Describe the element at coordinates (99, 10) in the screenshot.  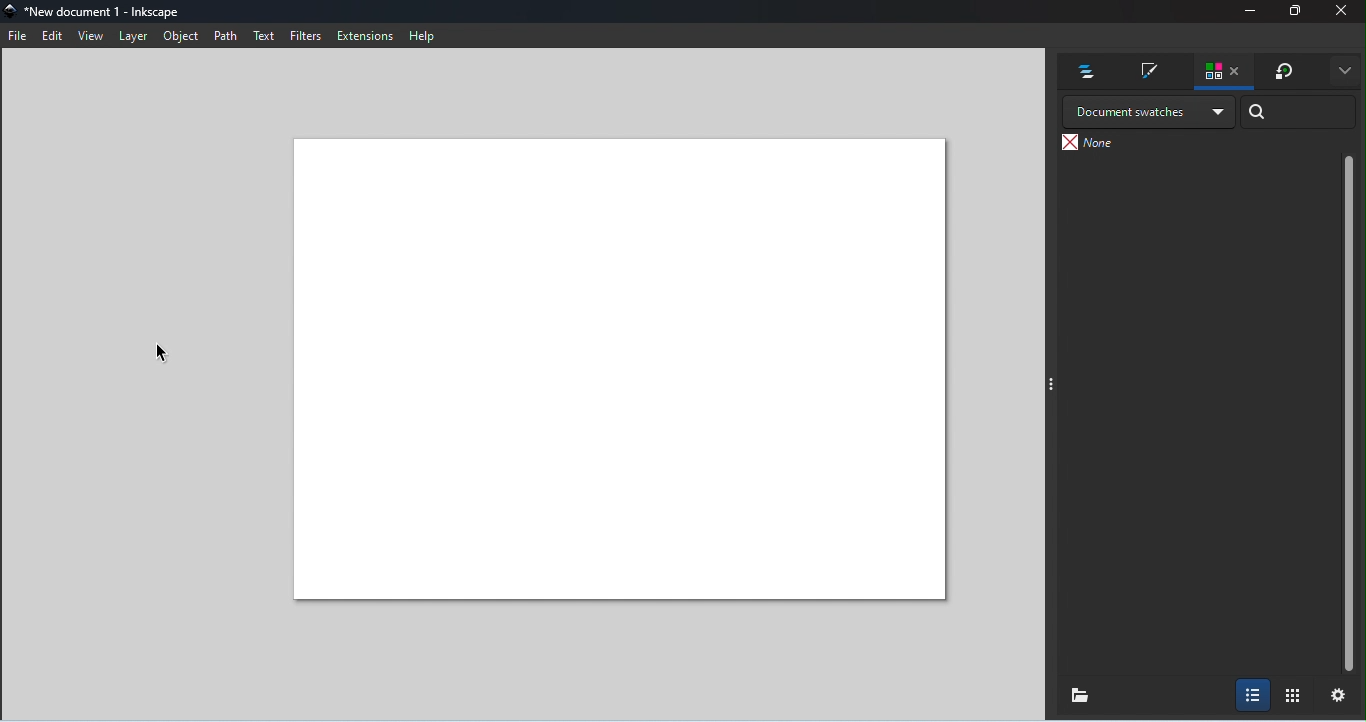
I see `File name` at that location.